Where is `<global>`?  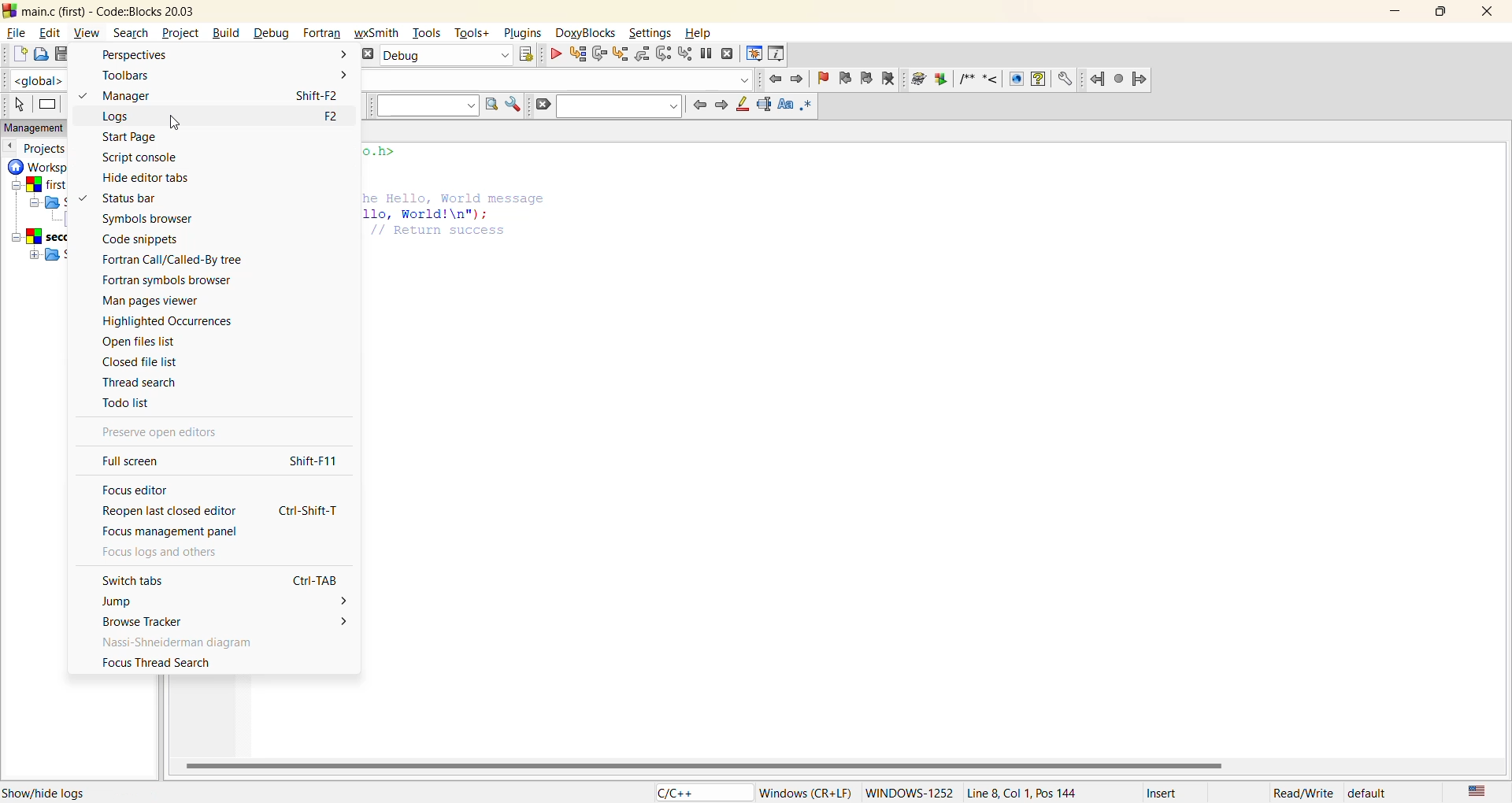
<global> is located at coordinates (36, 80).